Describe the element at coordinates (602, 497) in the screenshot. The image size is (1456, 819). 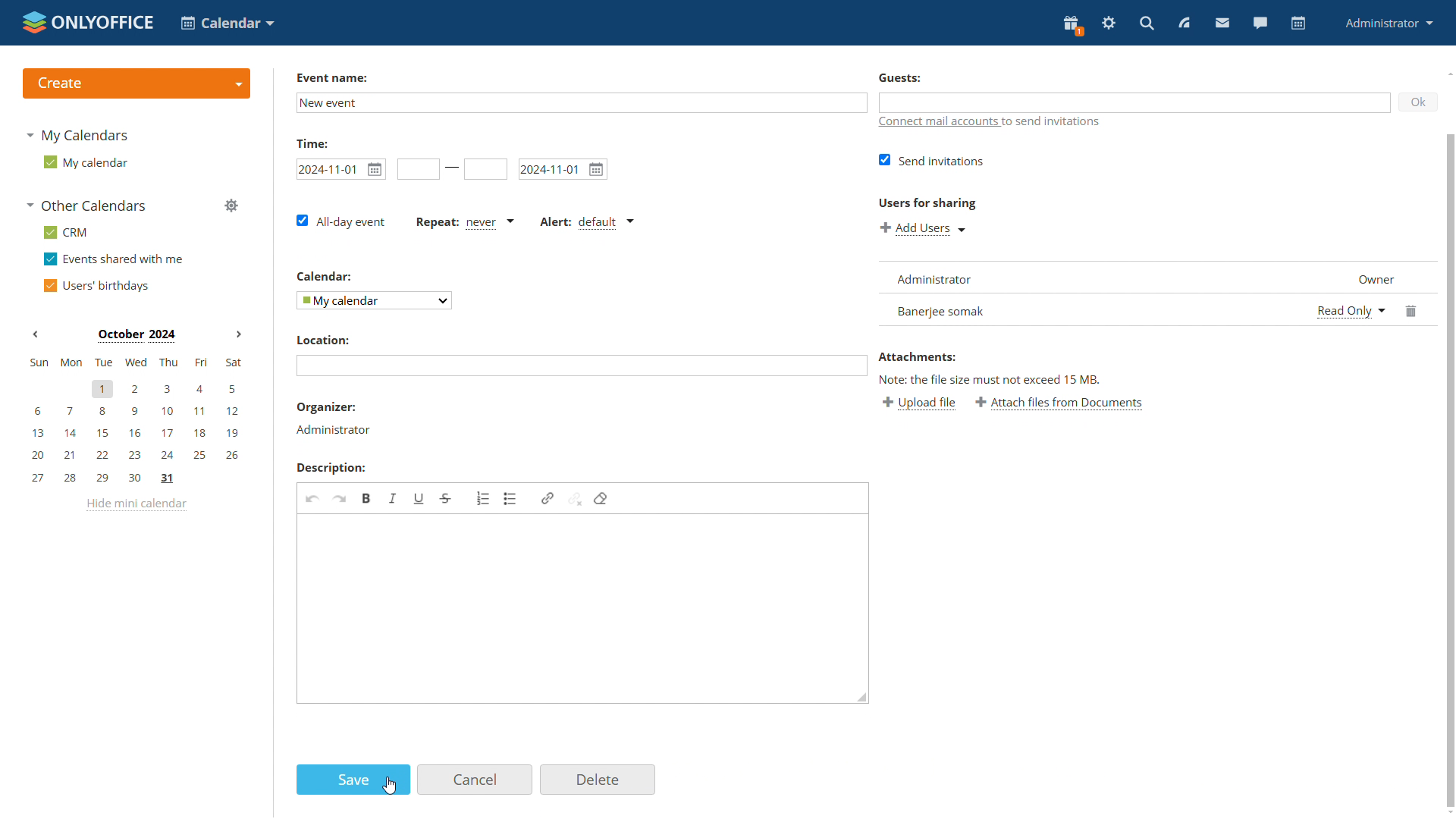
I see `delete format` at that location.